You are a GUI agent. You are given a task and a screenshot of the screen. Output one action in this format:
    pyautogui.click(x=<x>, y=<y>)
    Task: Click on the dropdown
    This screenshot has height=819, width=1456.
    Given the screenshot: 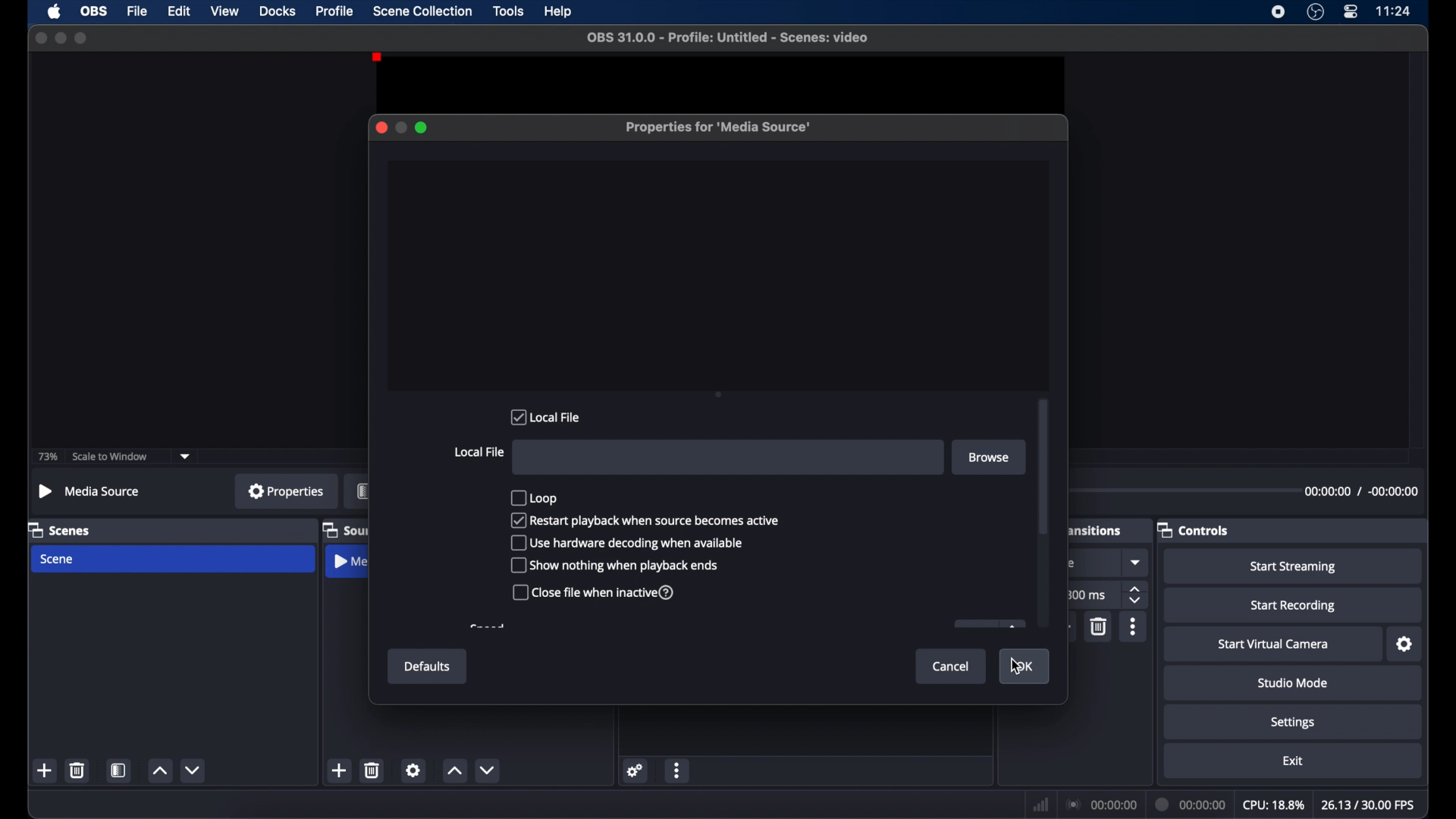 What is the action you would take?
    pyautogui.click(x=1137, y=562)
    